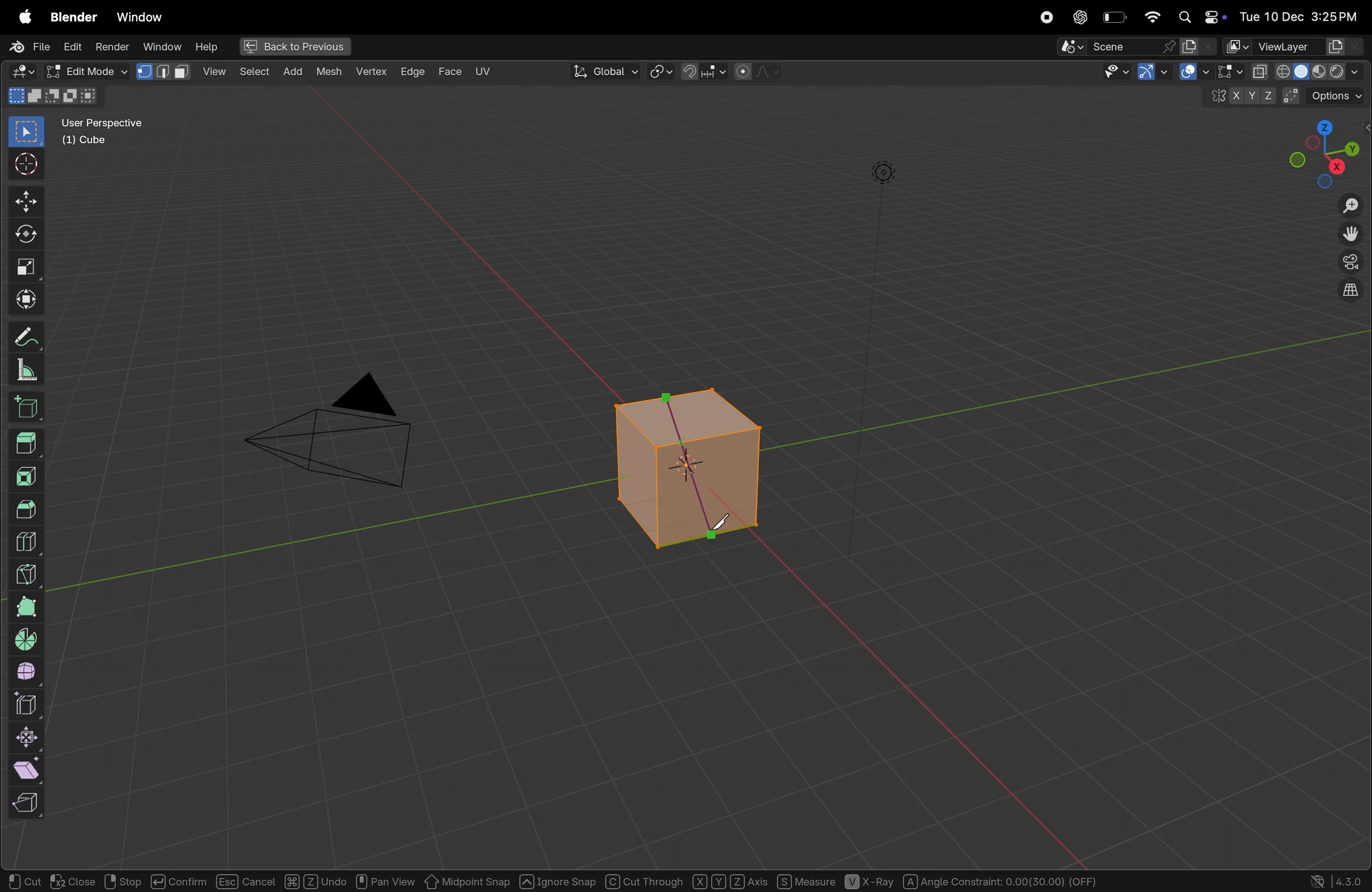 Image resolution: width=1372 pixels, height=892 pixels. Describe the element at coordinates (24, 165) in the screenshot. I see `cursor` at that location.